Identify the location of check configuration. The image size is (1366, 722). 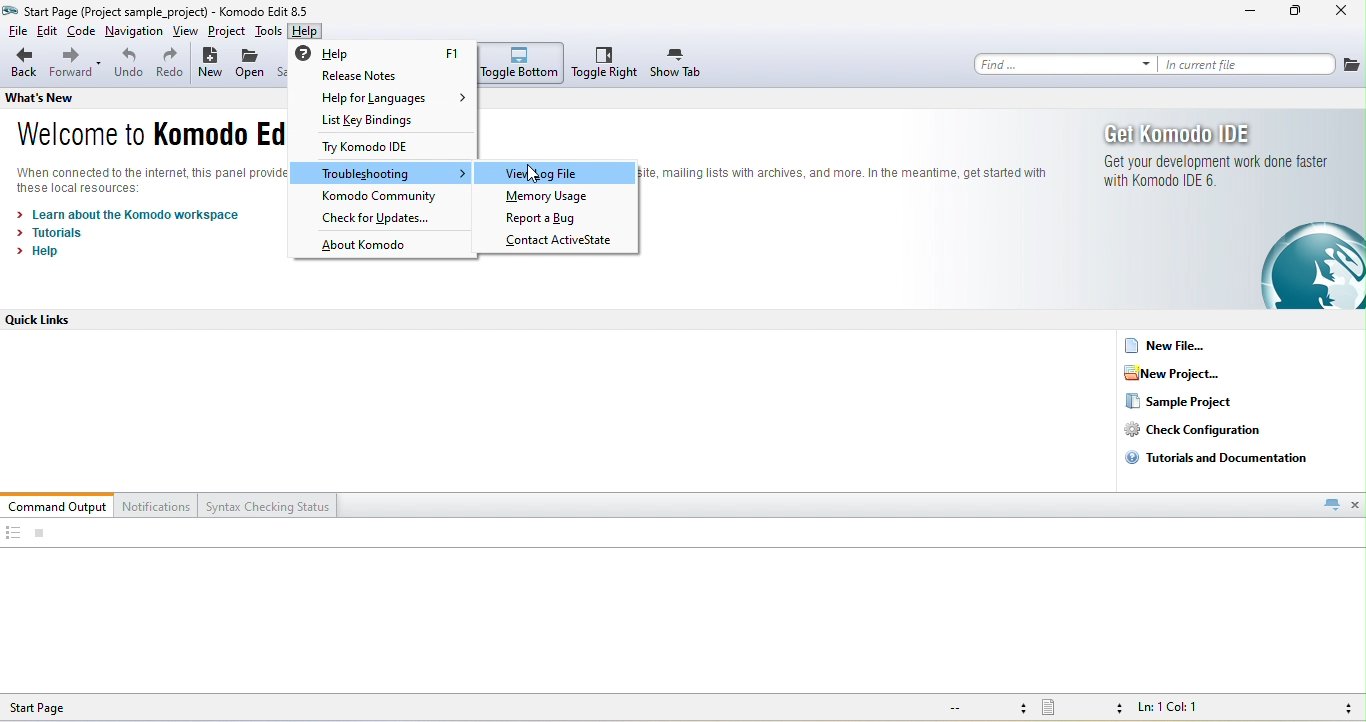
(1208, 430).